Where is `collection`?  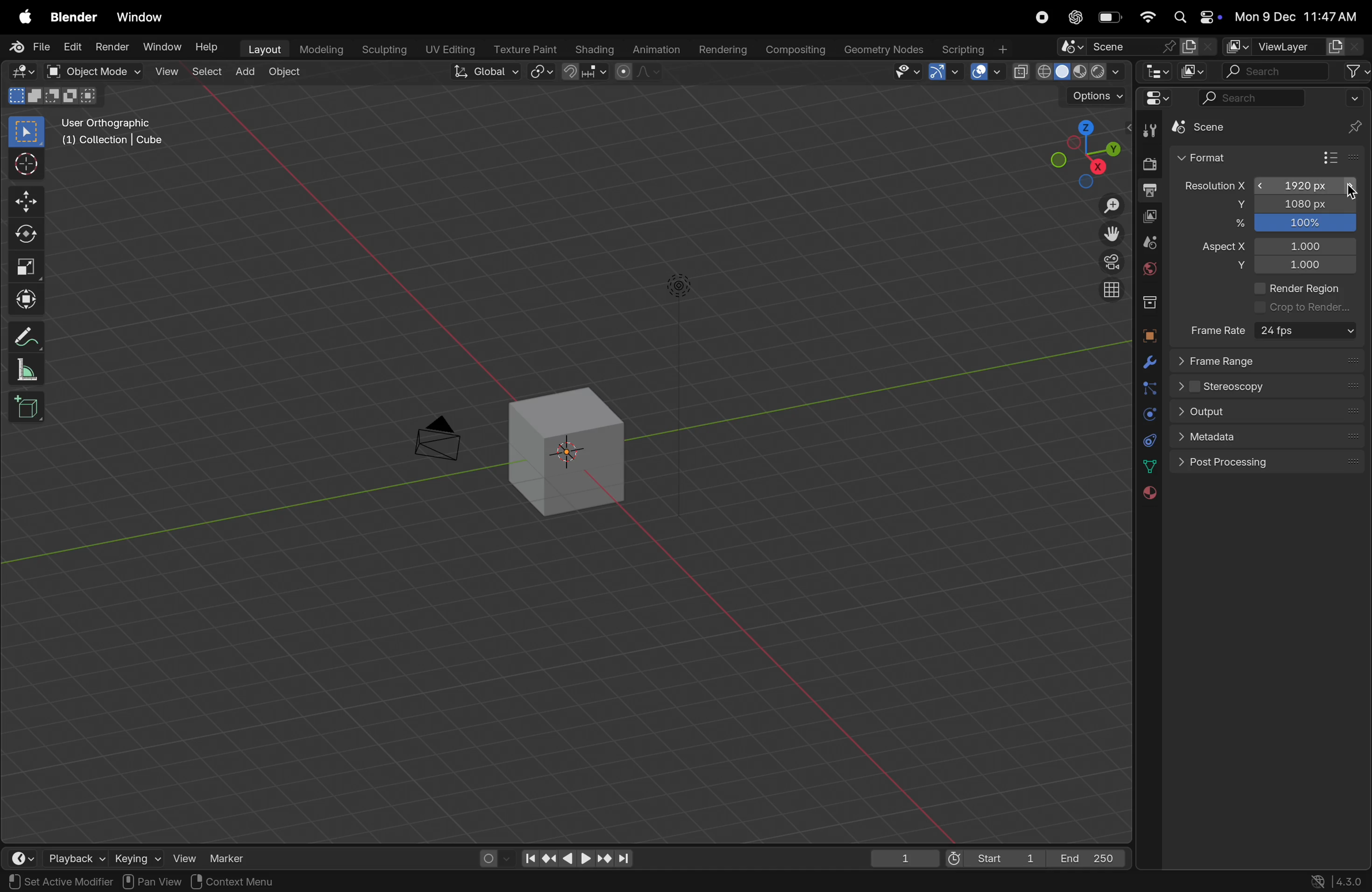 collection is located at coordinates (1150, 305).